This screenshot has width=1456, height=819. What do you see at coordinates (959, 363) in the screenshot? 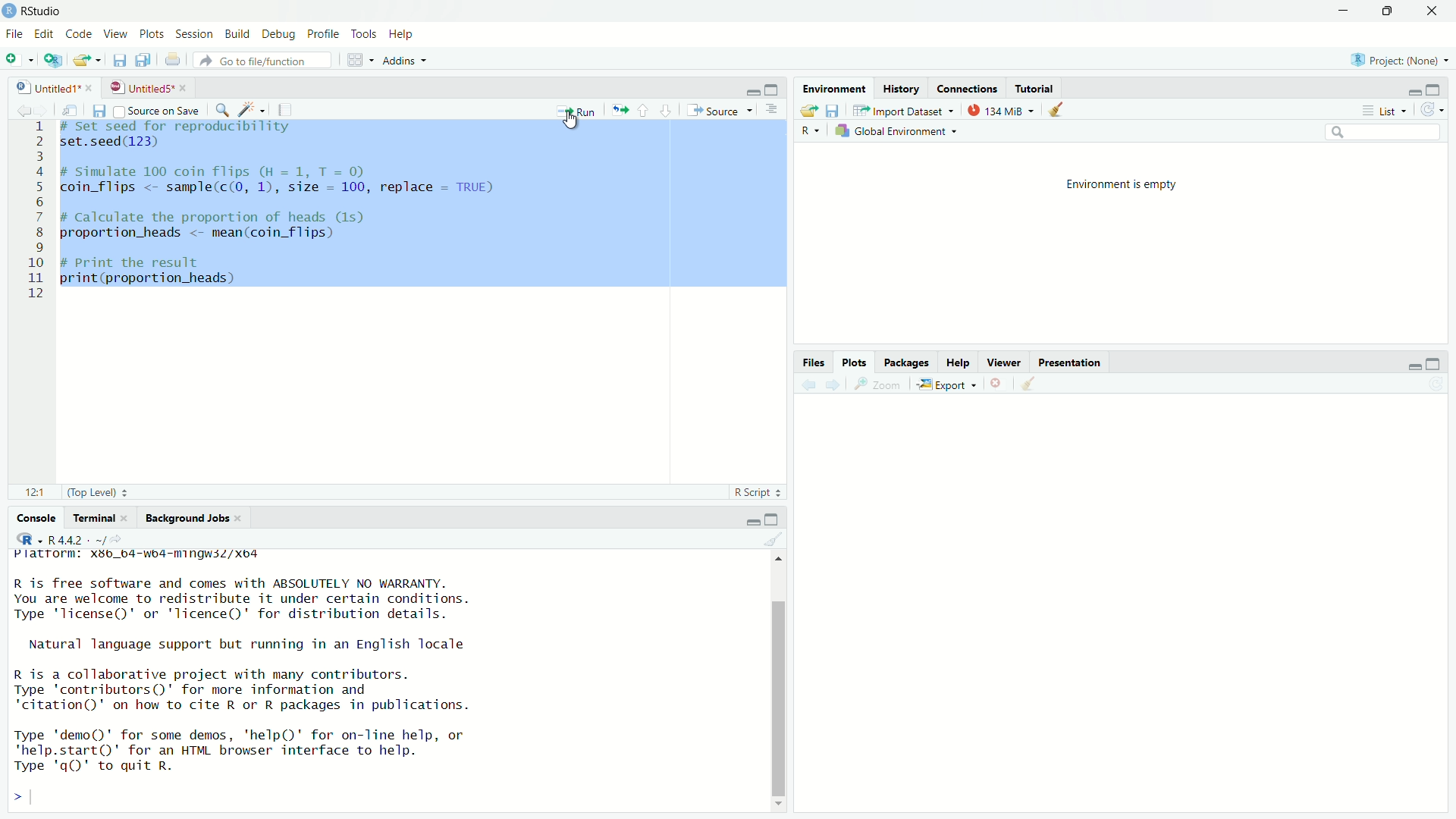
I see `Help` at bounding box center [959, 363].